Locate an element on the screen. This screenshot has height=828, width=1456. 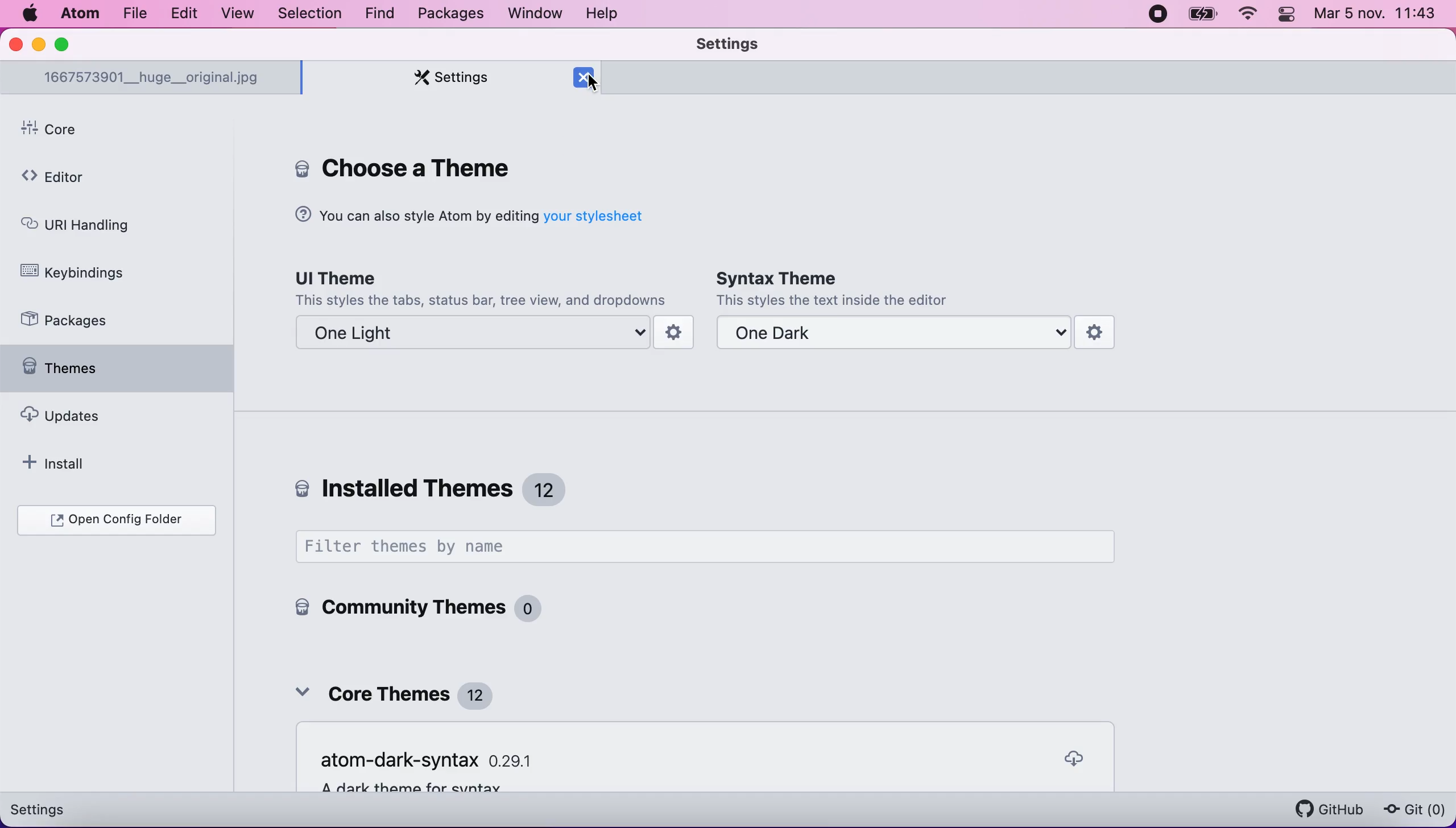
keybindings is located at coordinates (88, 273).